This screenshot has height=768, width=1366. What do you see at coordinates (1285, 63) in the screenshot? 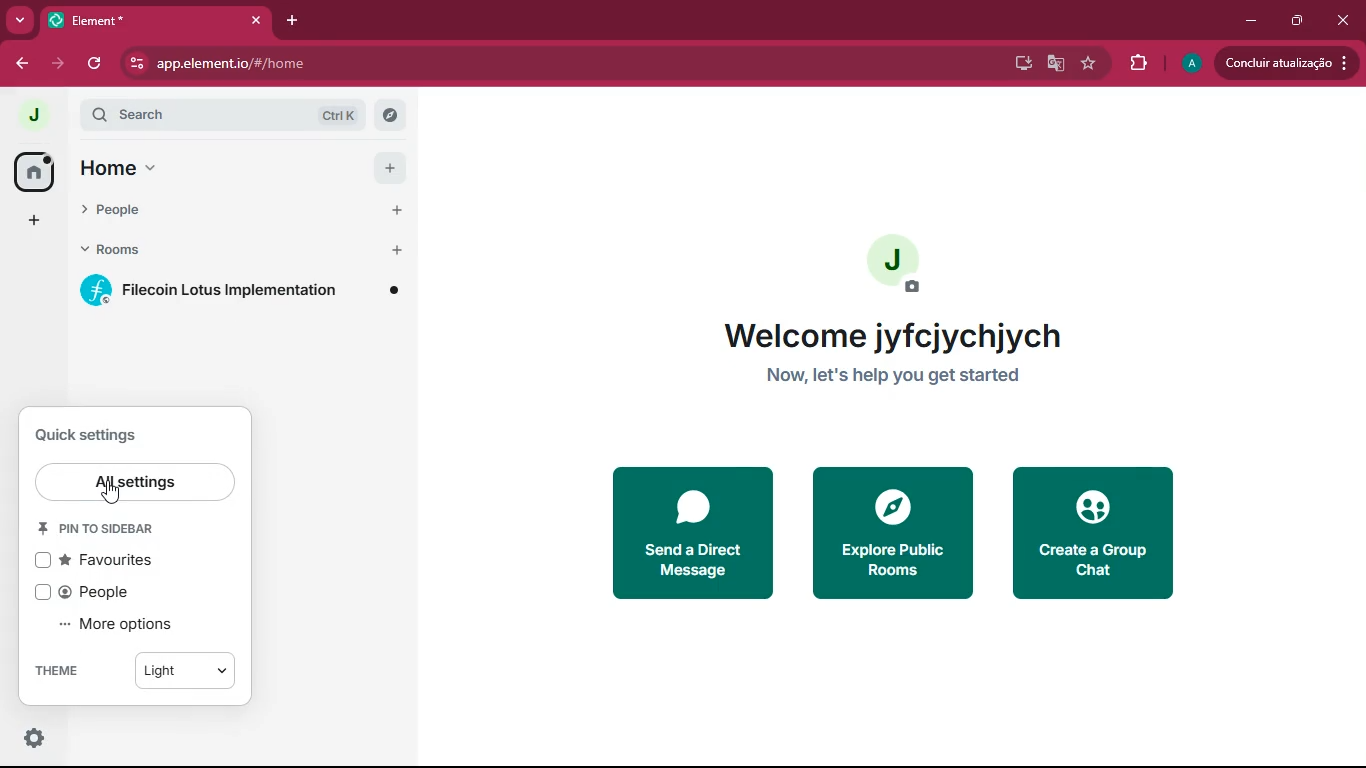
I see `conduir atualizacao` at bounding box center [1285, 63].